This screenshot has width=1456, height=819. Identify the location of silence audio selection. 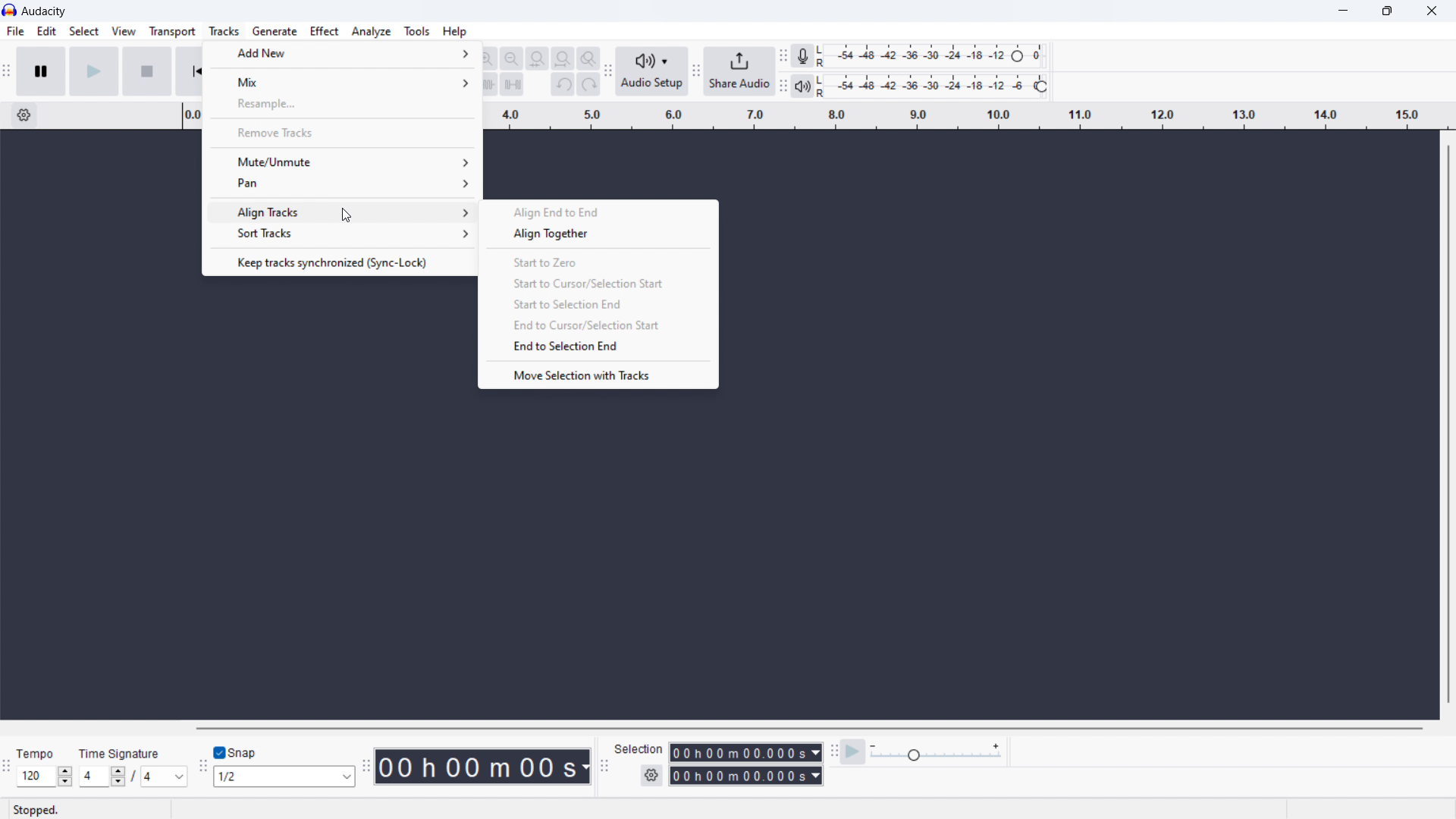
(512, 85).